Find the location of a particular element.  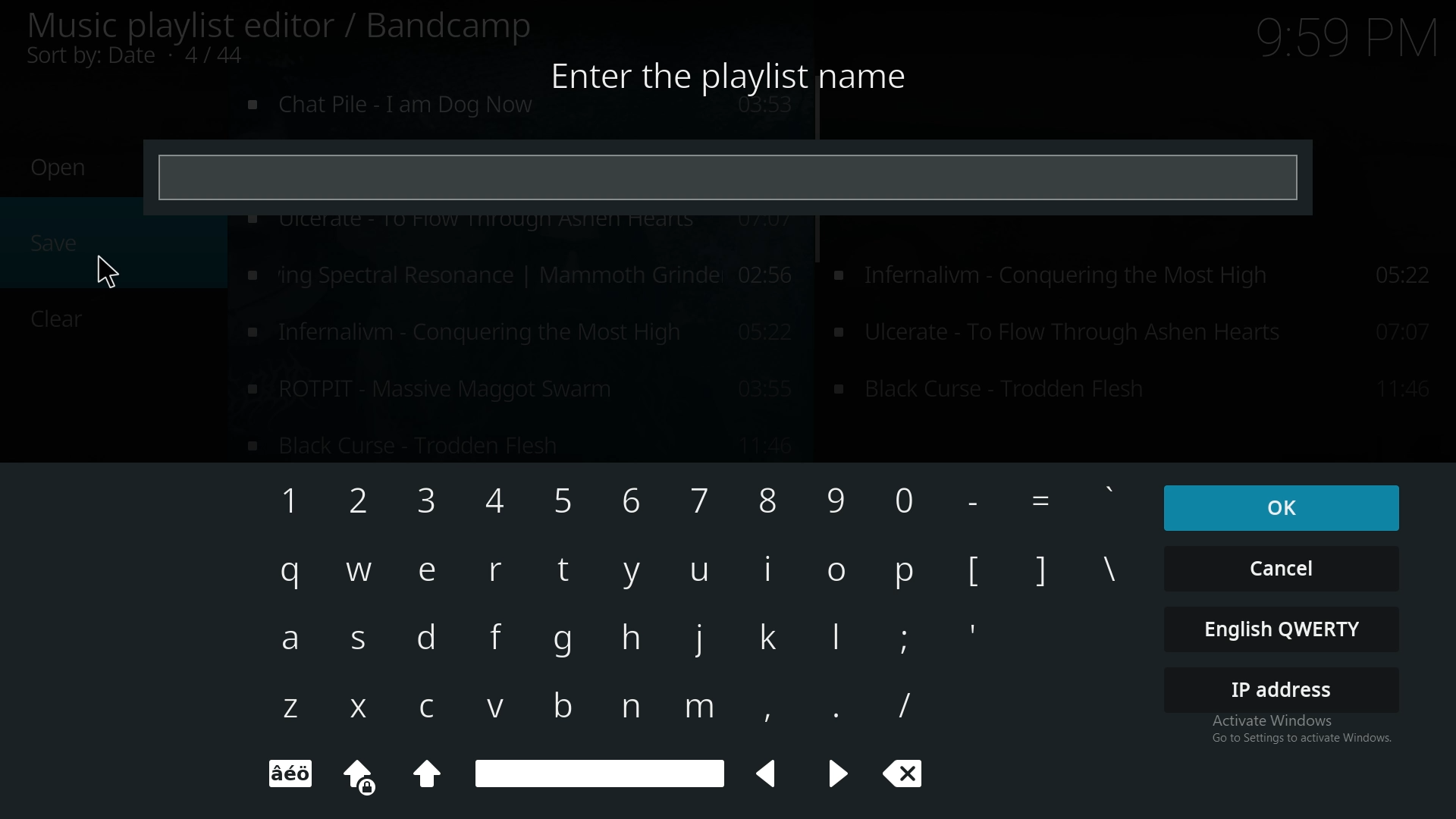

keyboard input is located at coordinates (431, 636).